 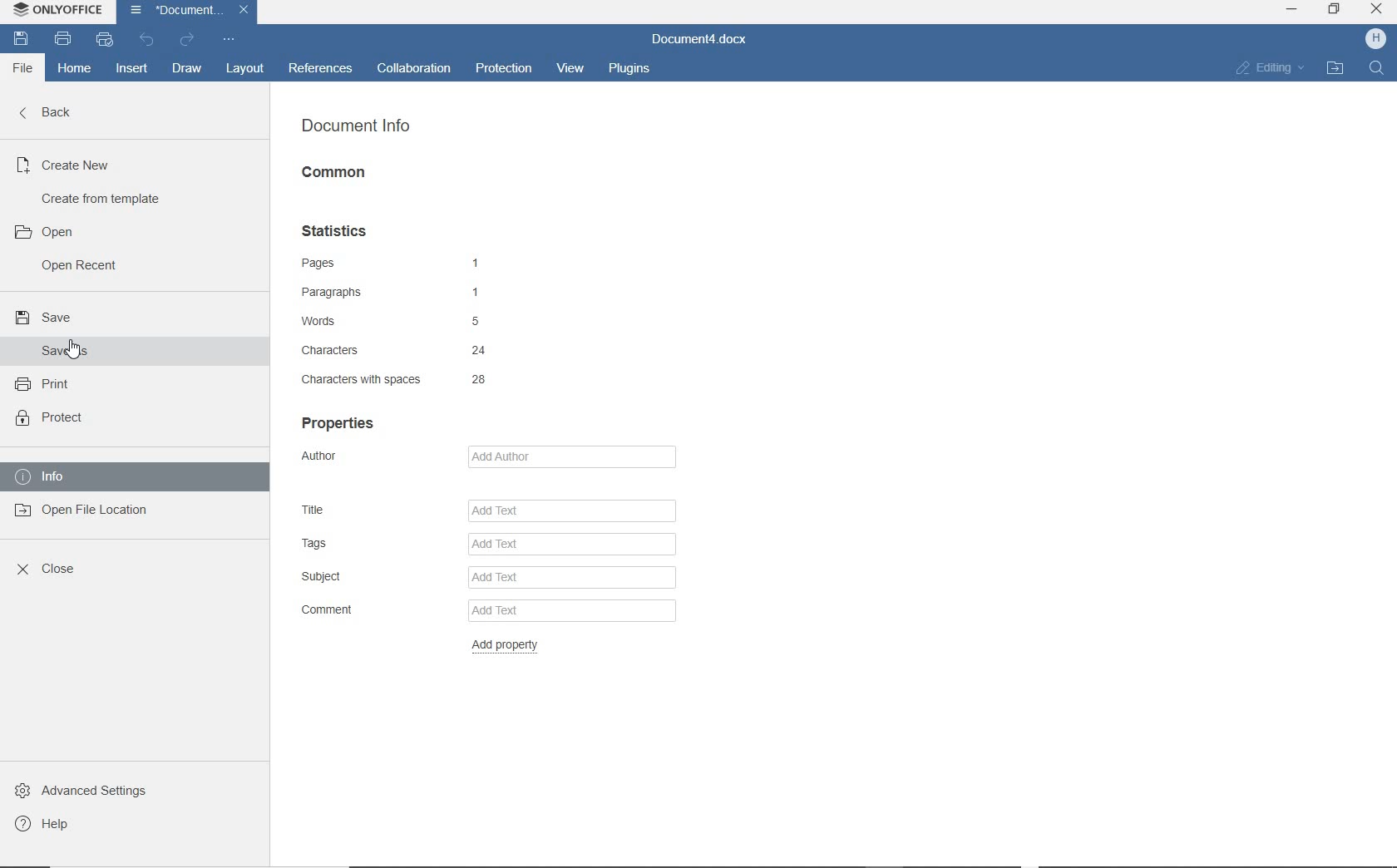 I want to click on customize quick access toolbar, so click(x=229, y=40).